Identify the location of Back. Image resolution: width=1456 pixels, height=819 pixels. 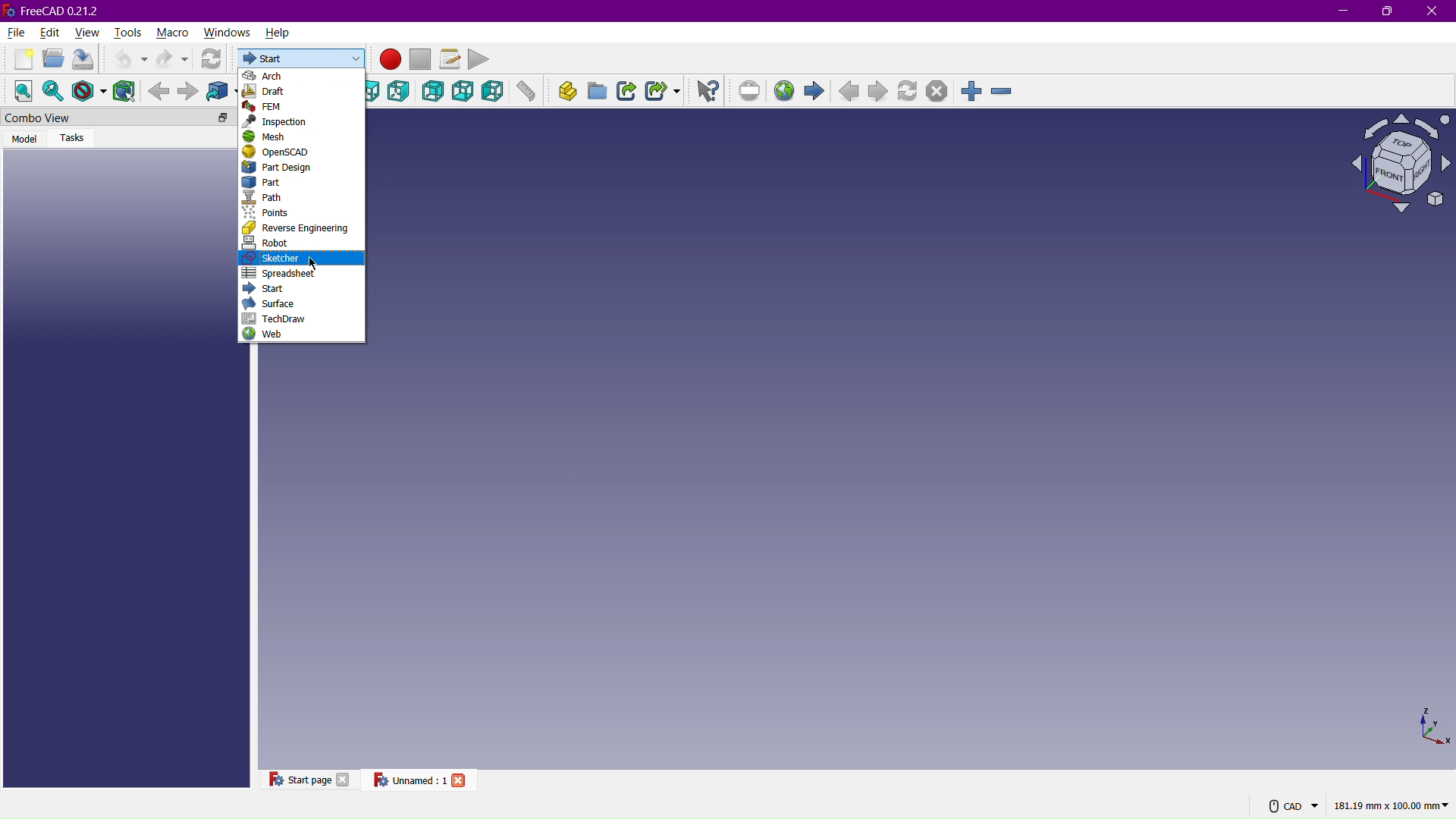
(431, 90).